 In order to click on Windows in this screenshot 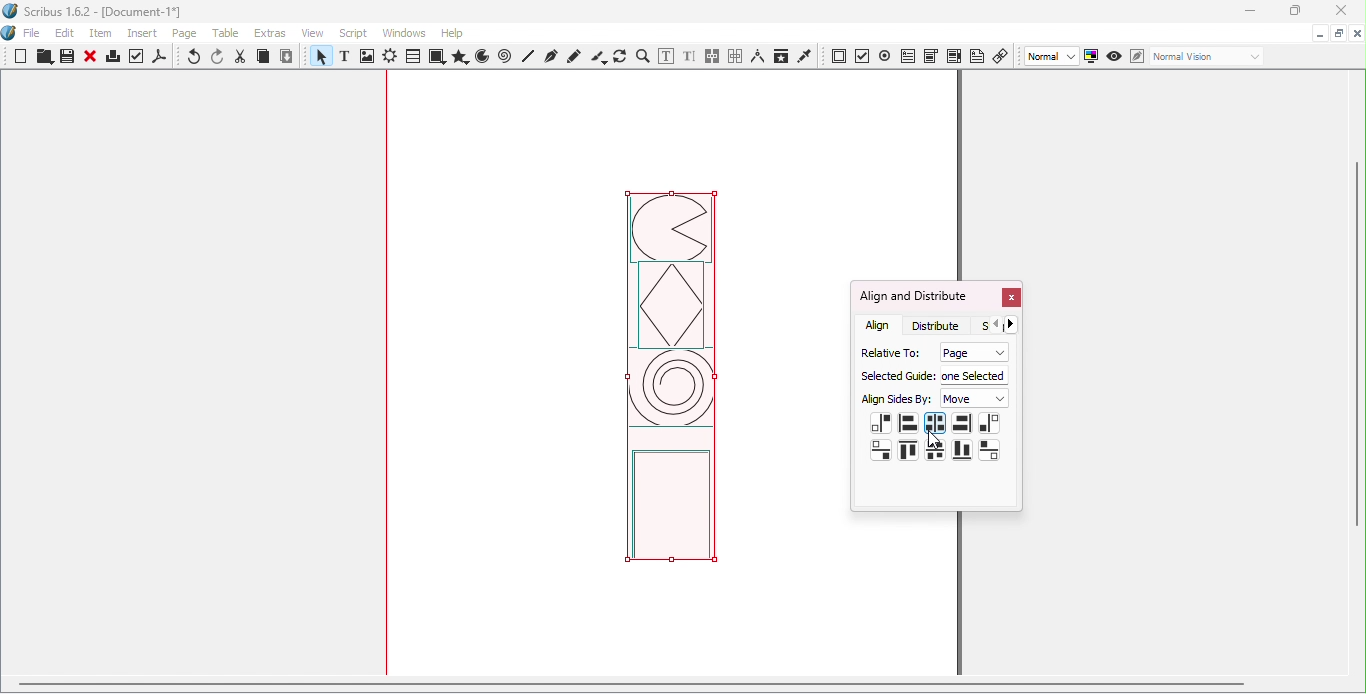, I will do `click(404, 33)`.